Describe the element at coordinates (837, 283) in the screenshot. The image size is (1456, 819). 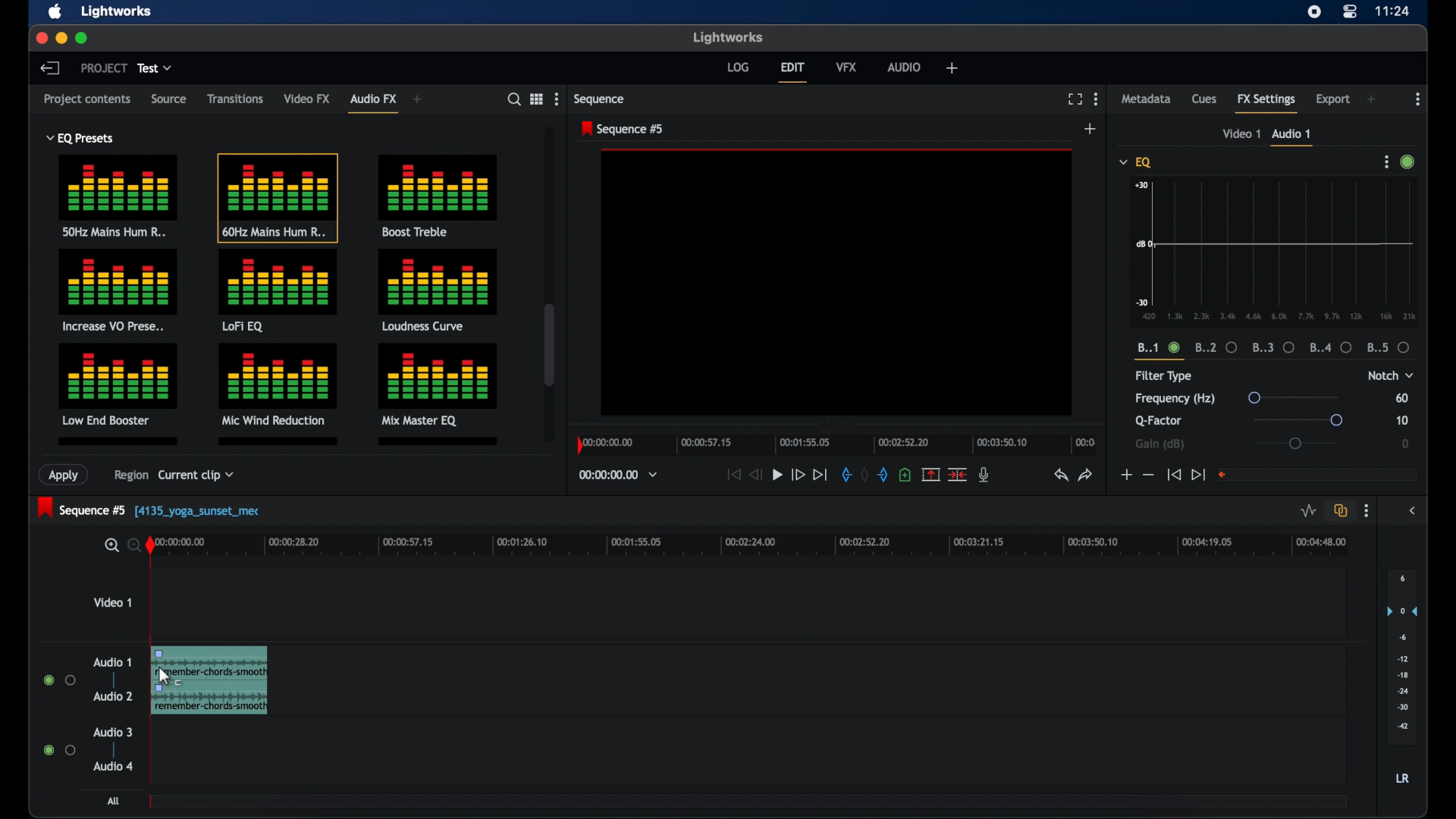
I see `video preview` at that location.